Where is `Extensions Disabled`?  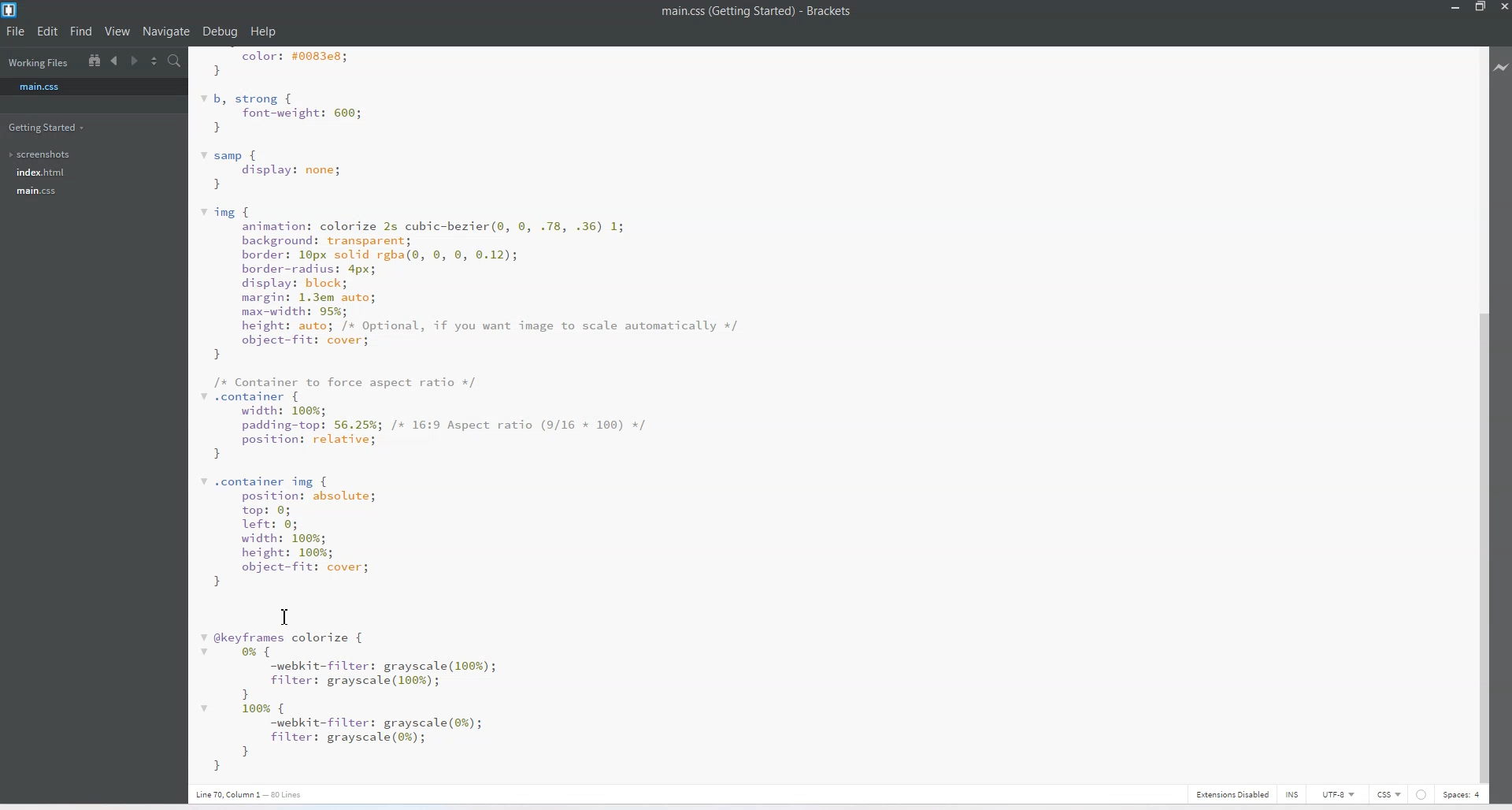 Extensions Disabled is located at coordinates (1230, 793).